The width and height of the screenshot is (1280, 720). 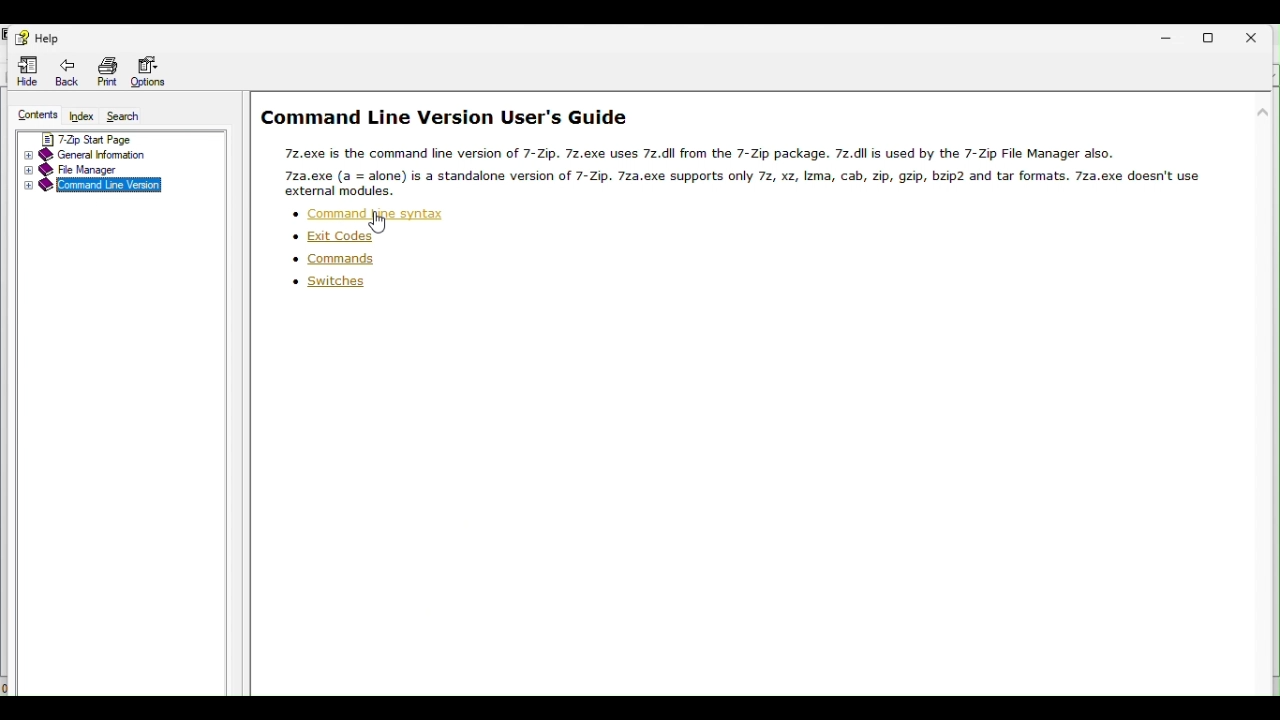 What do you see at coordinates (103, 70) in the screenshot?
I see `Print` at bounding box center [103, 70].